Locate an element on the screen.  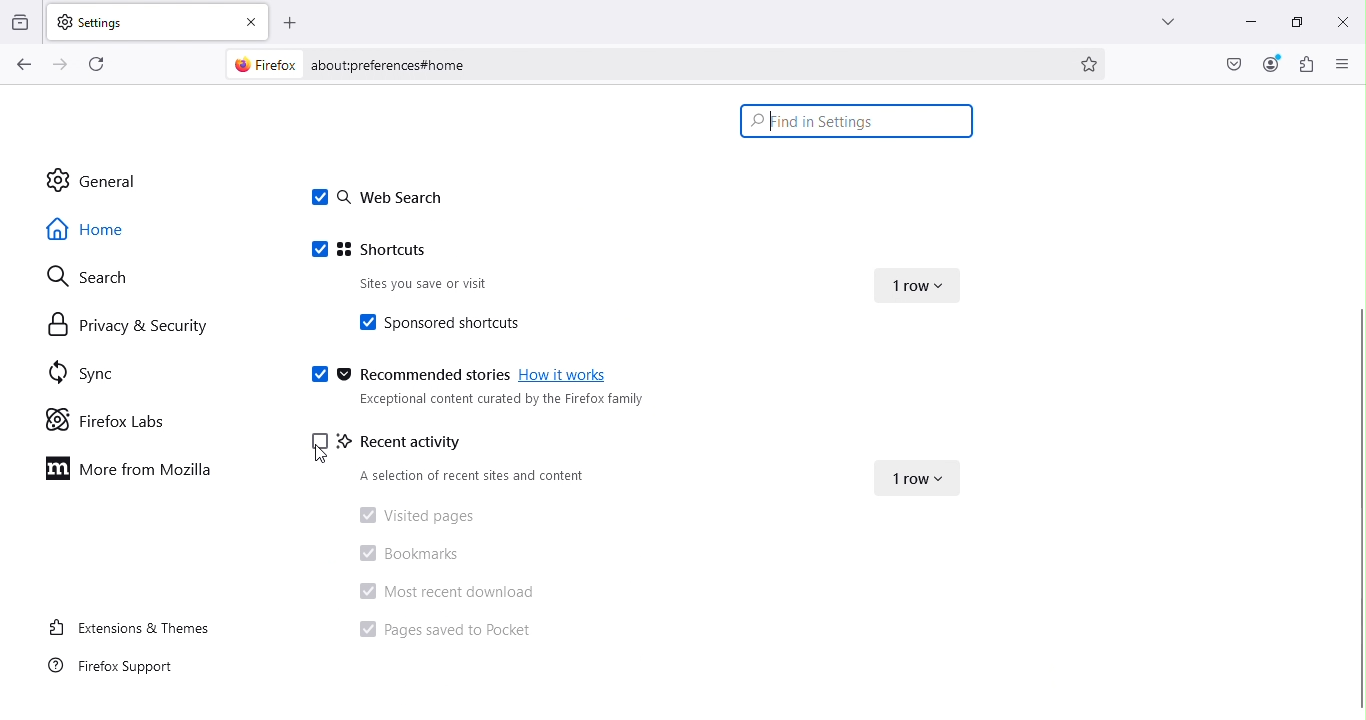
Settings is located at coordinates (138, 20).